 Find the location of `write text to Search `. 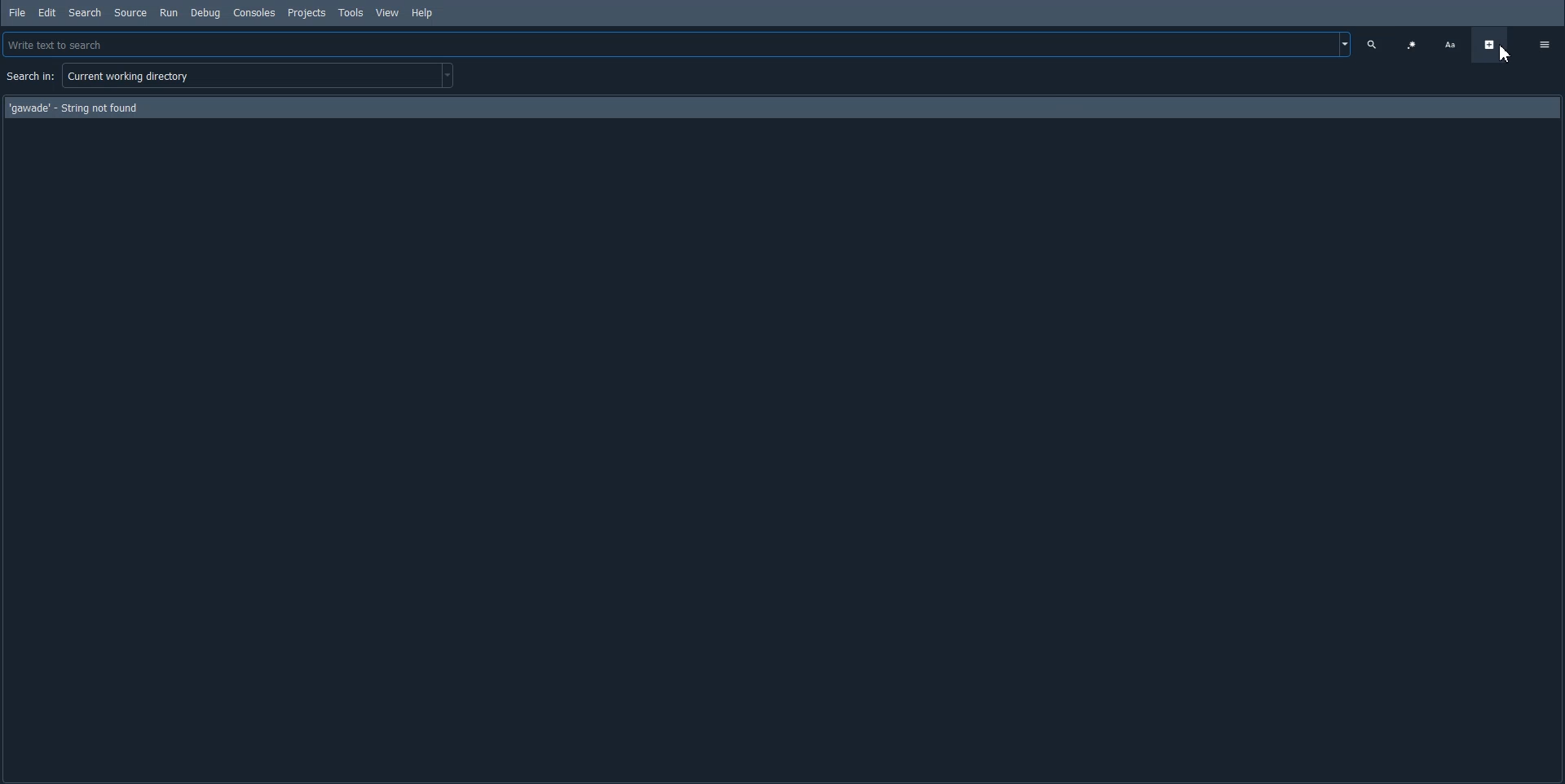

write text to Search  is located at coordinates (679, 43).